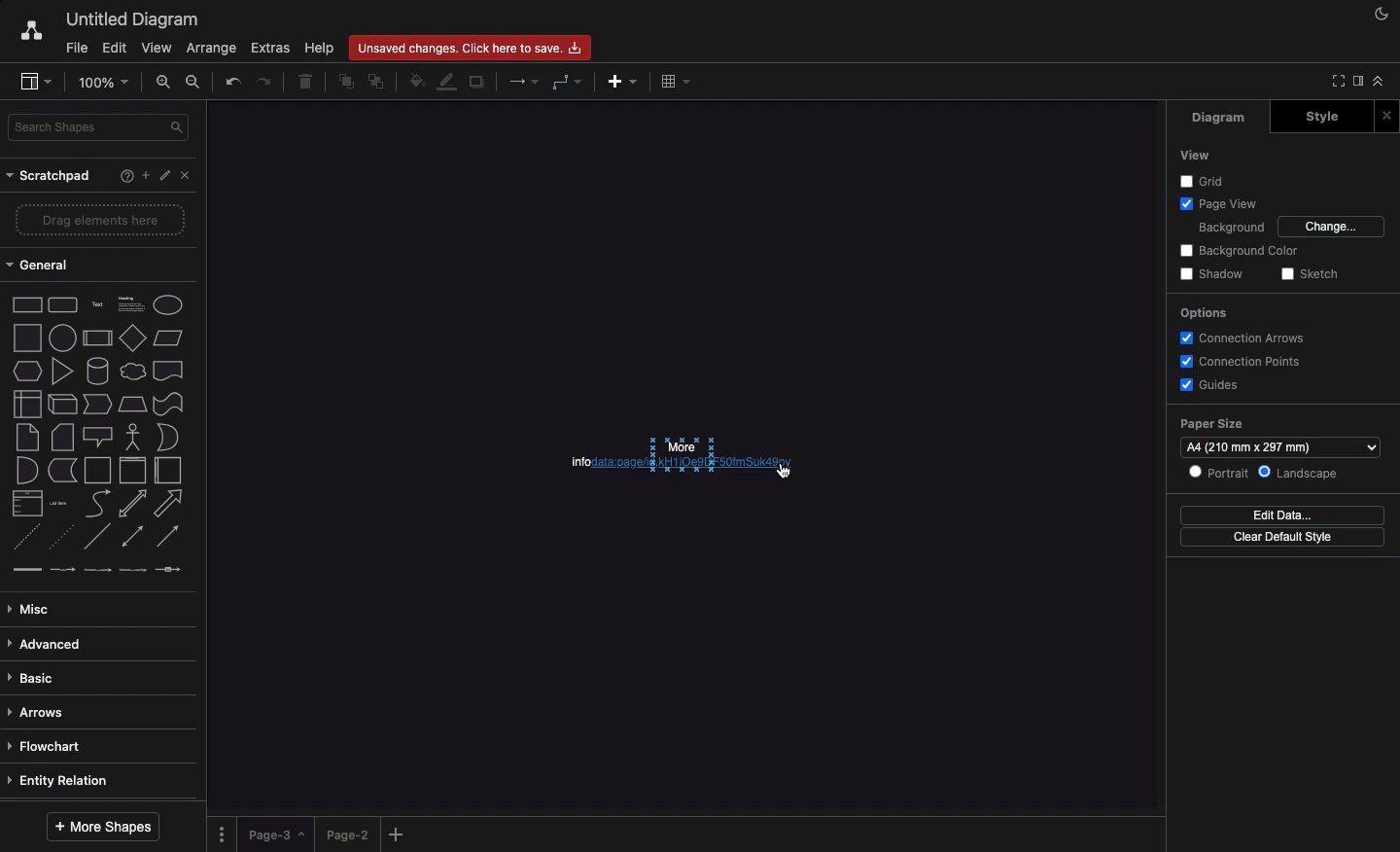 The image size is (1400, 852). What do you see at coordinates (53, 747) in the screenshot?
I see `Flowchart` at bounding box center [53, 747].